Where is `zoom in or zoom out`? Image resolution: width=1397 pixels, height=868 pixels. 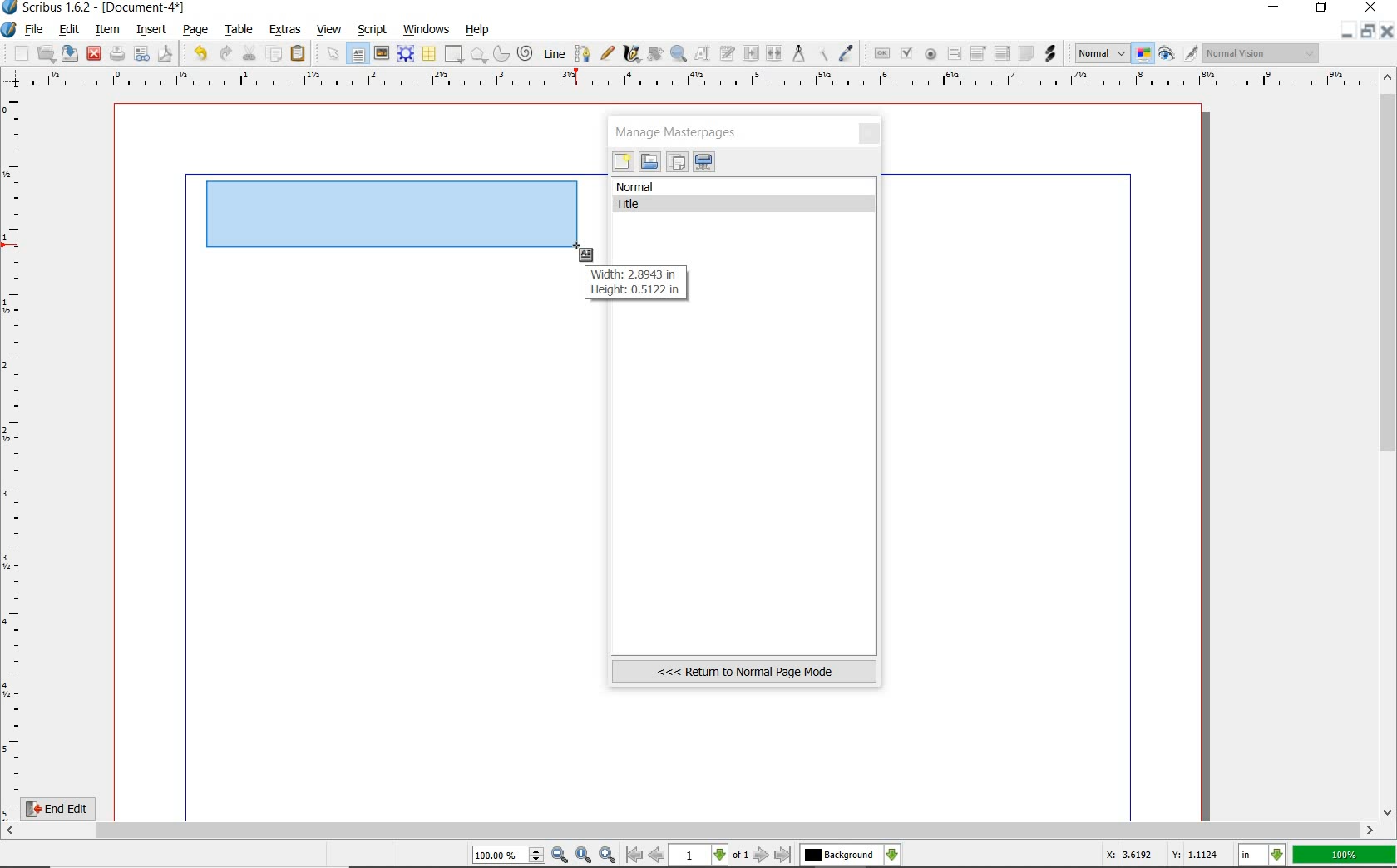 zoom in or zoom out is located at coordinates (679, 53).